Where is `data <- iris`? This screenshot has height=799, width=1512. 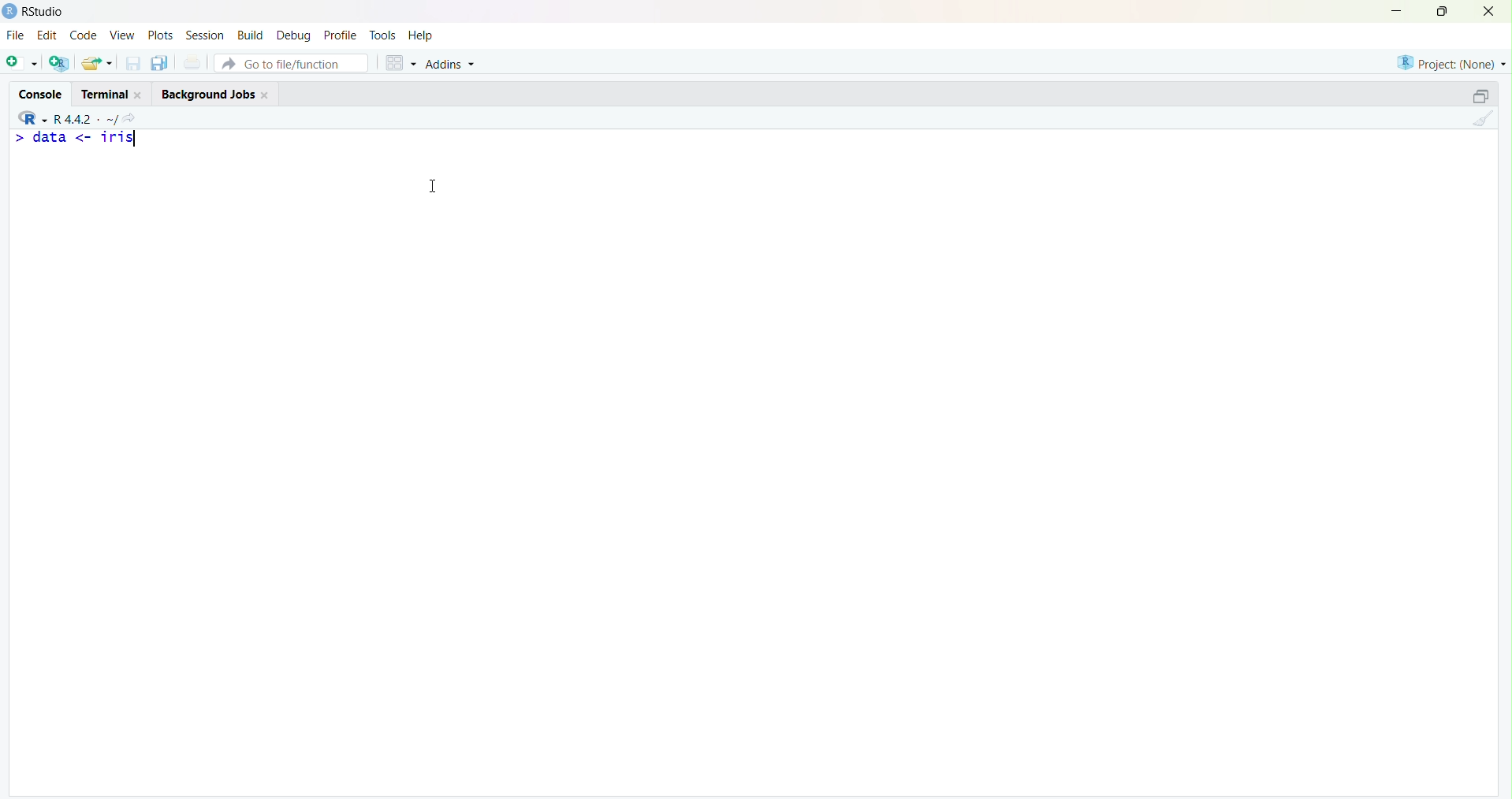
data <- iris is located at coordinates (86, 140).